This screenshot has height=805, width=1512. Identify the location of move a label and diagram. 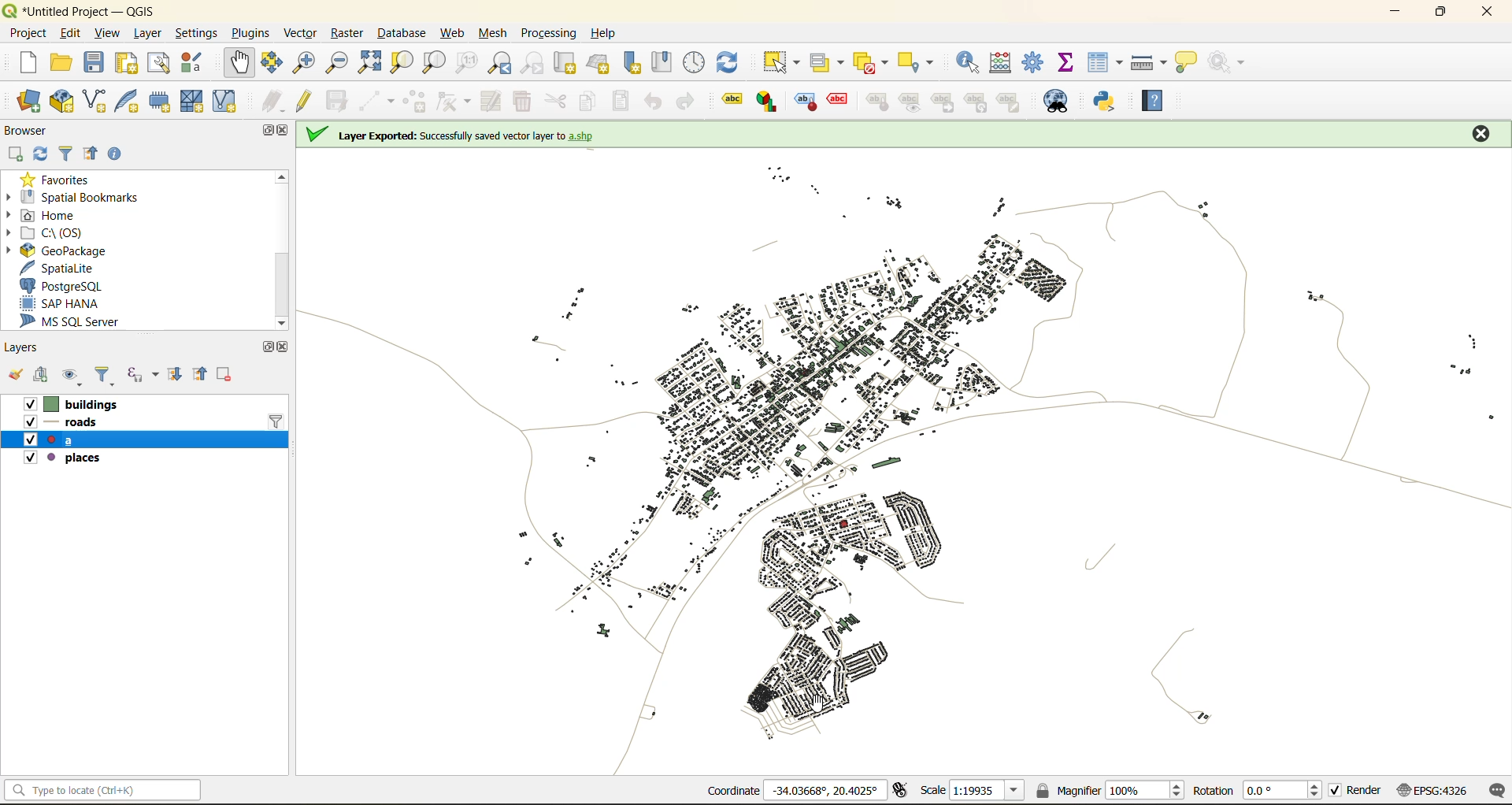
(943, 102).